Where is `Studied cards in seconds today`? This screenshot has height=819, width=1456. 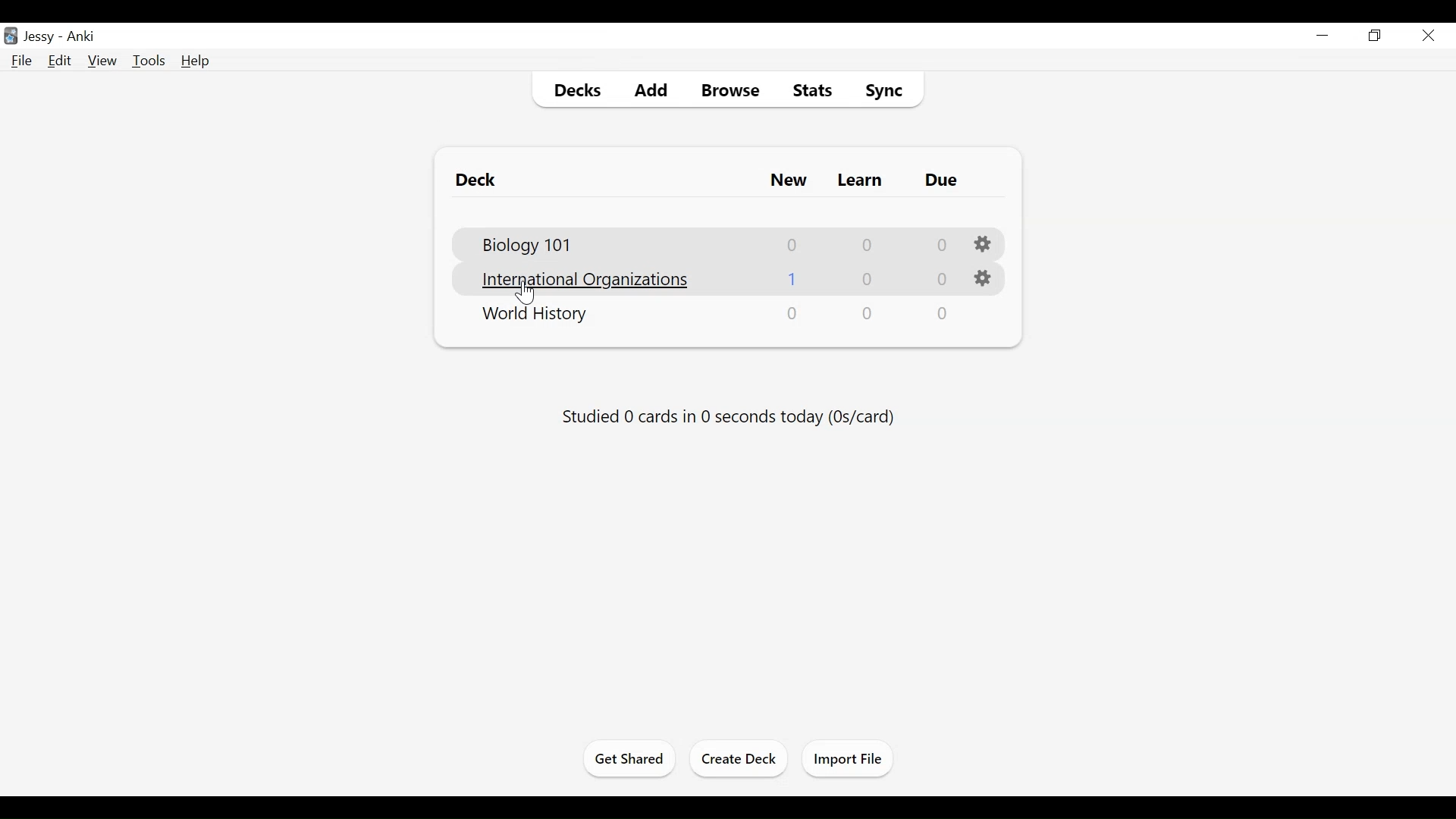
Studied cards in seconds today is located at coordinates (727, 417).